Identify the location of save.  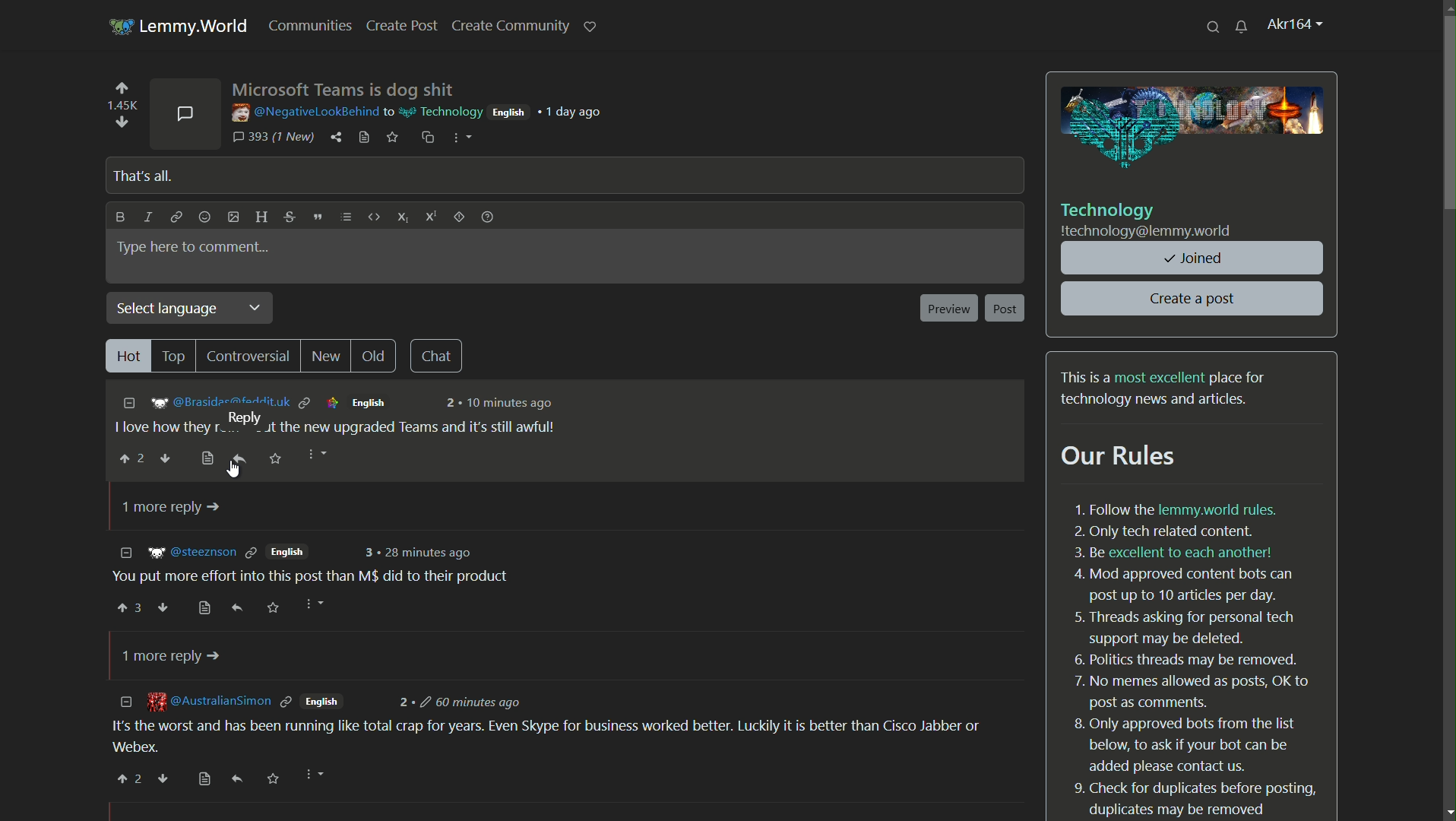
(275, 458).